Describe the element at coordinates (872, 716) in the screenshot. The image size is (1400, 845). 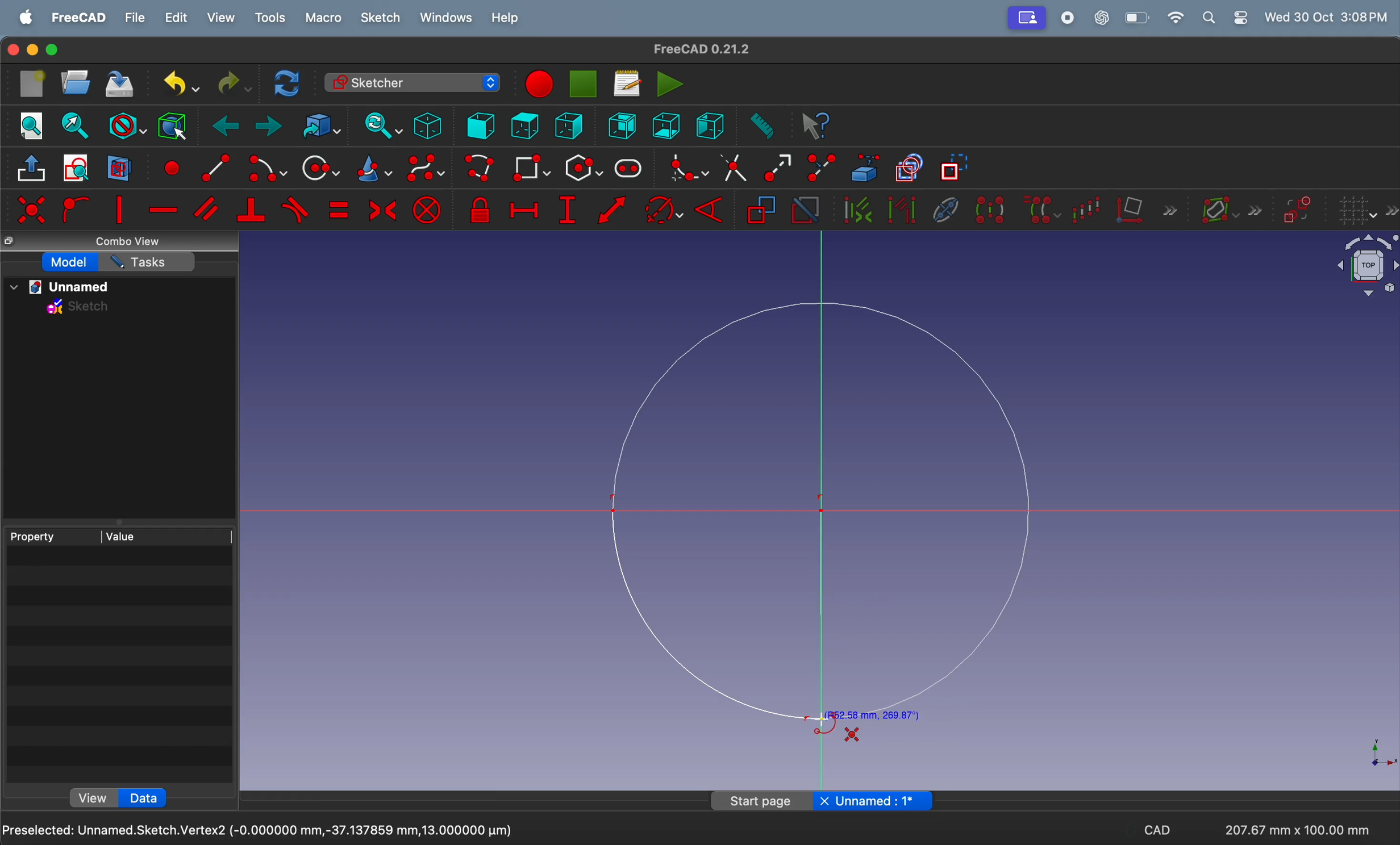
I see `(R52.58 mm, 269.87)` at that location.